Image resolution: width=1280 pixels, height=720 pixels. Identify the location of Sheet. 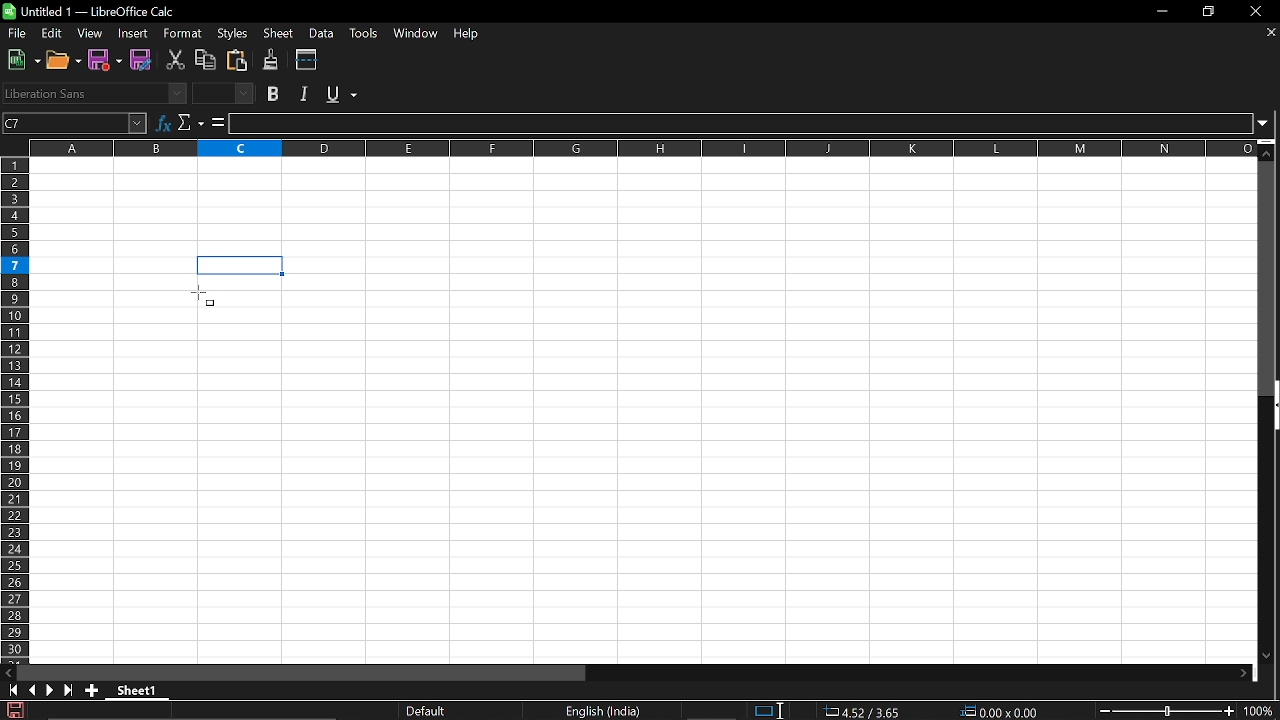
(281, 34).